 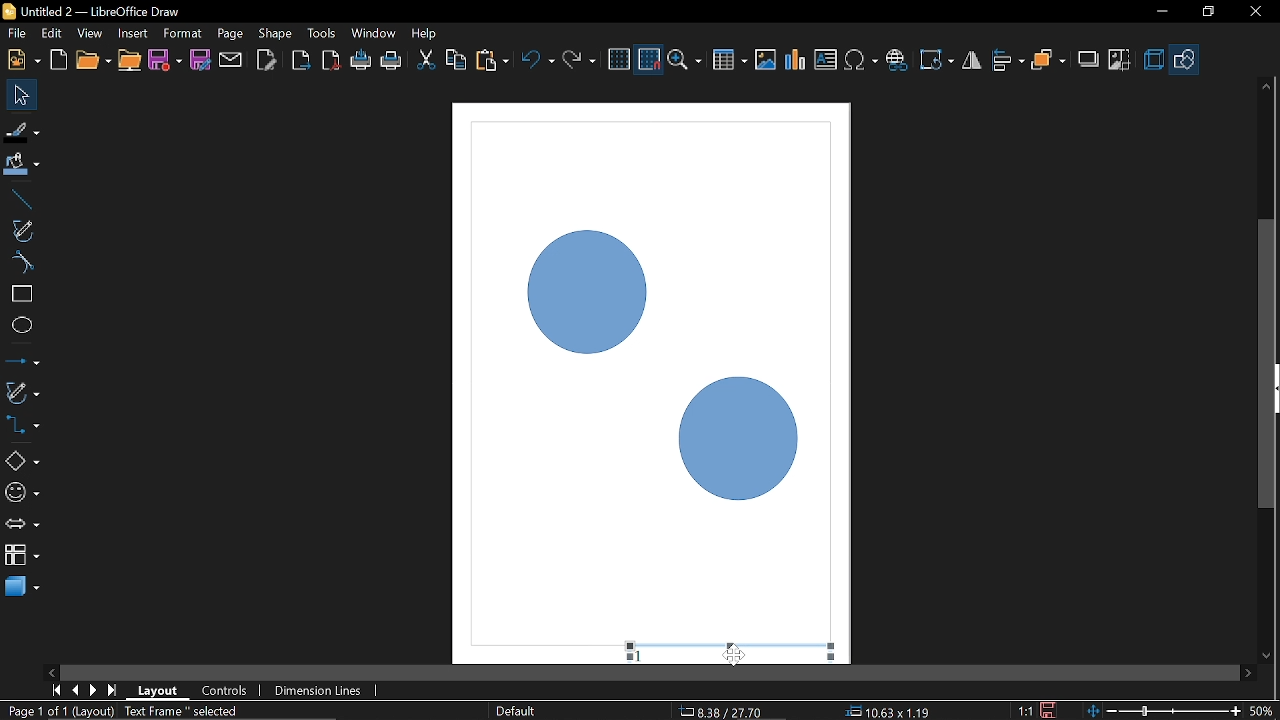 I want to click on go to first page, so click(x=58, y=689).